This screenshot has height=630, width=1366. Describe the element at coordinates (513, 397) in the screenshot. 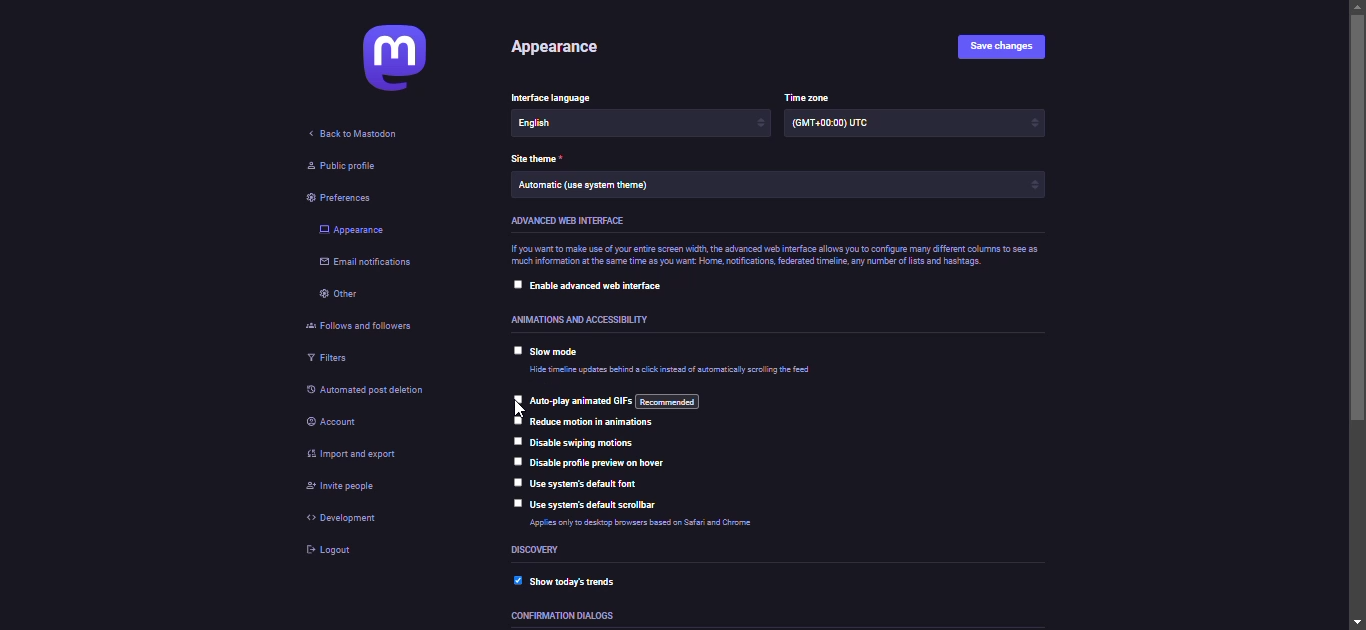

I see `click to select` at that location.